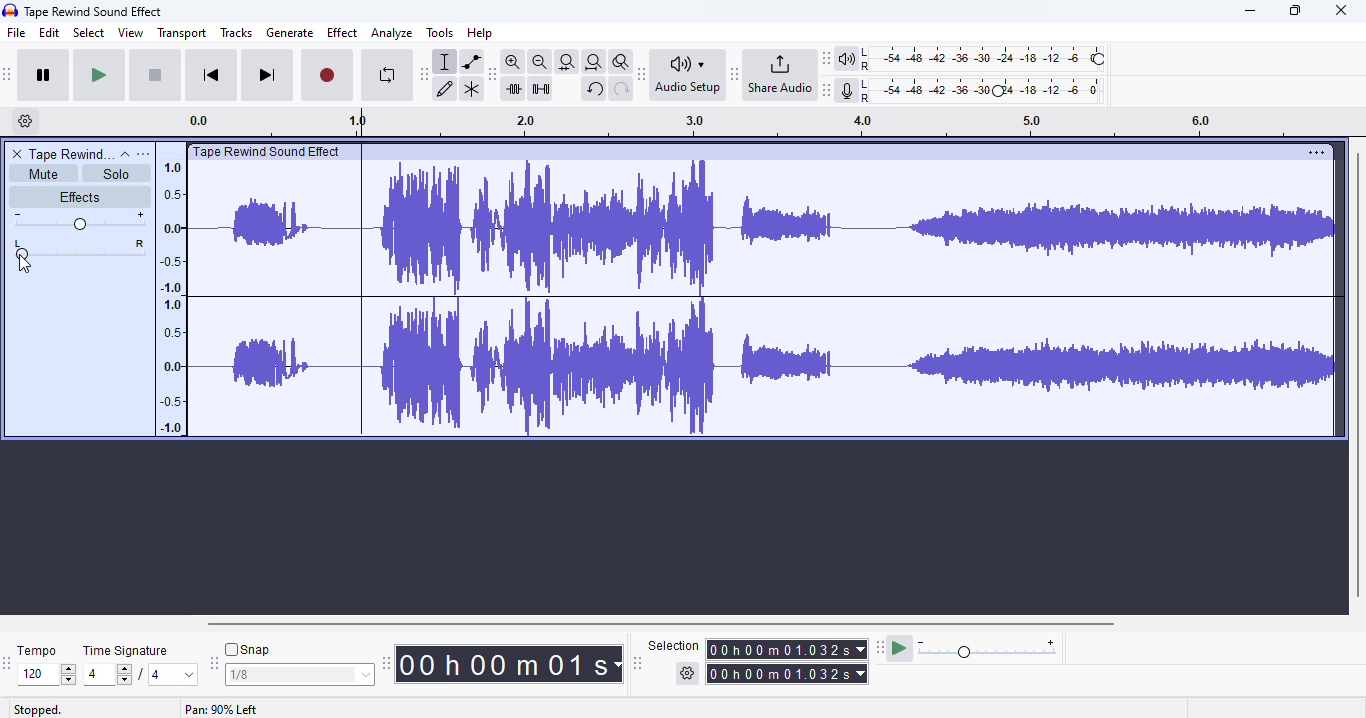 This screenshot has height=718, width=1366. Describe the element at coordinates (516, 89) in the screenshot. I see `trim audio outside selection` at that location.